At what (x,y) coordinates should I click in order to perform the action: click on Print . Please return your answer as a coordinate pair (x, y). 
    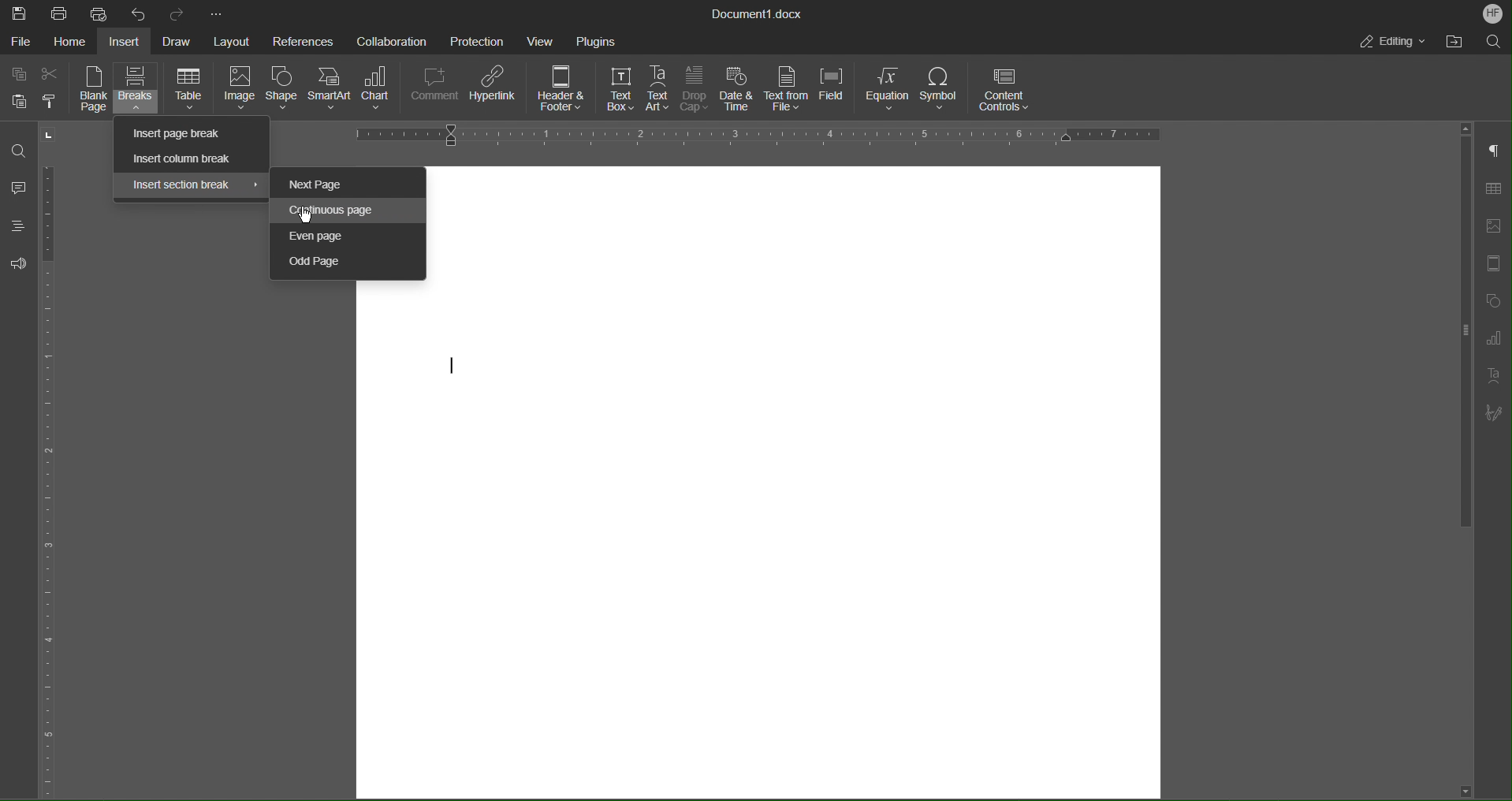
    Looking at the image, I should click on (60, 12).